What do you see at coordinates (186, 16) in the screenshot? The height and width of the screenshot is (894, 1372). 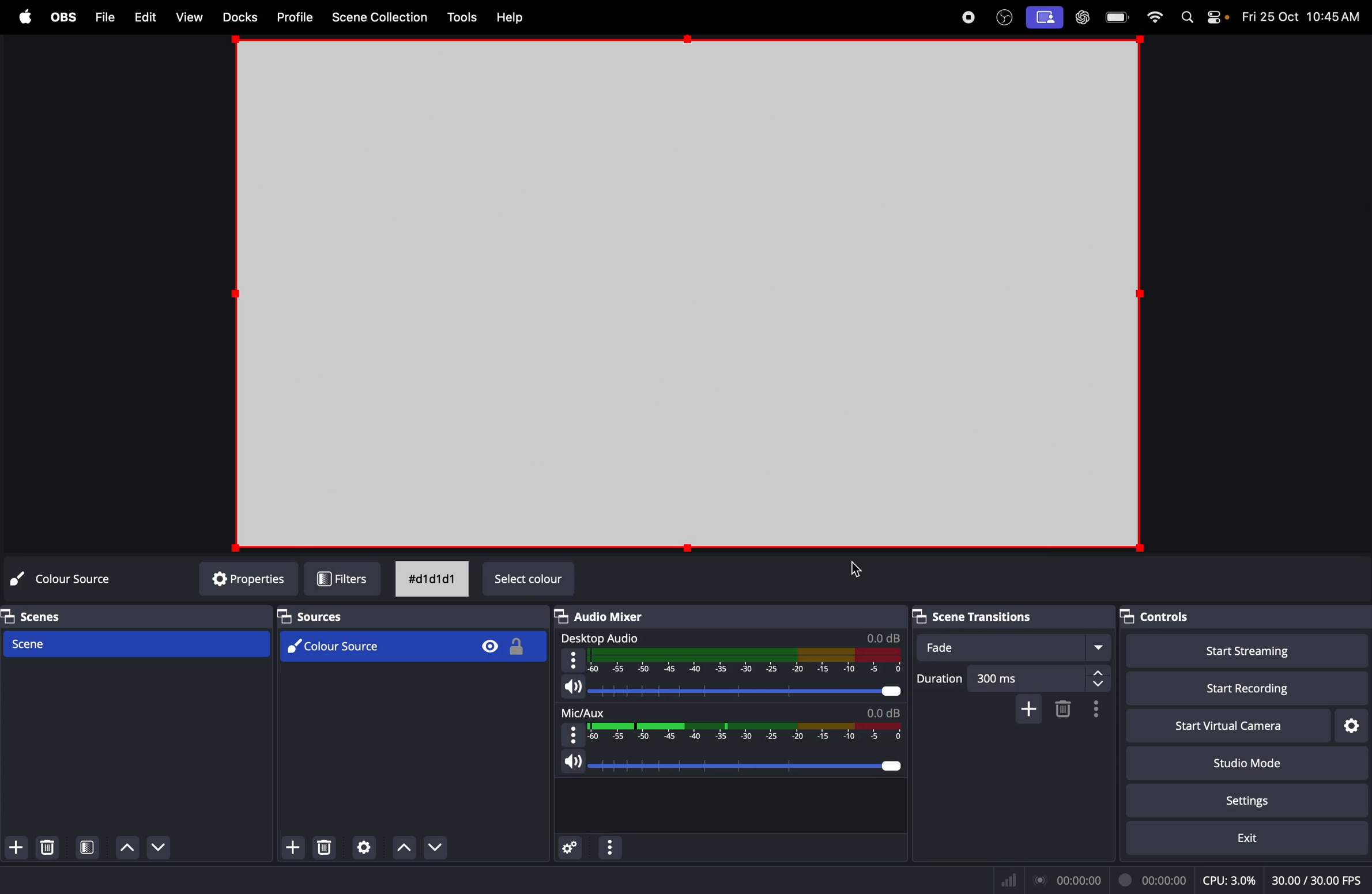 I see `view` at bounding box center [186, 16].